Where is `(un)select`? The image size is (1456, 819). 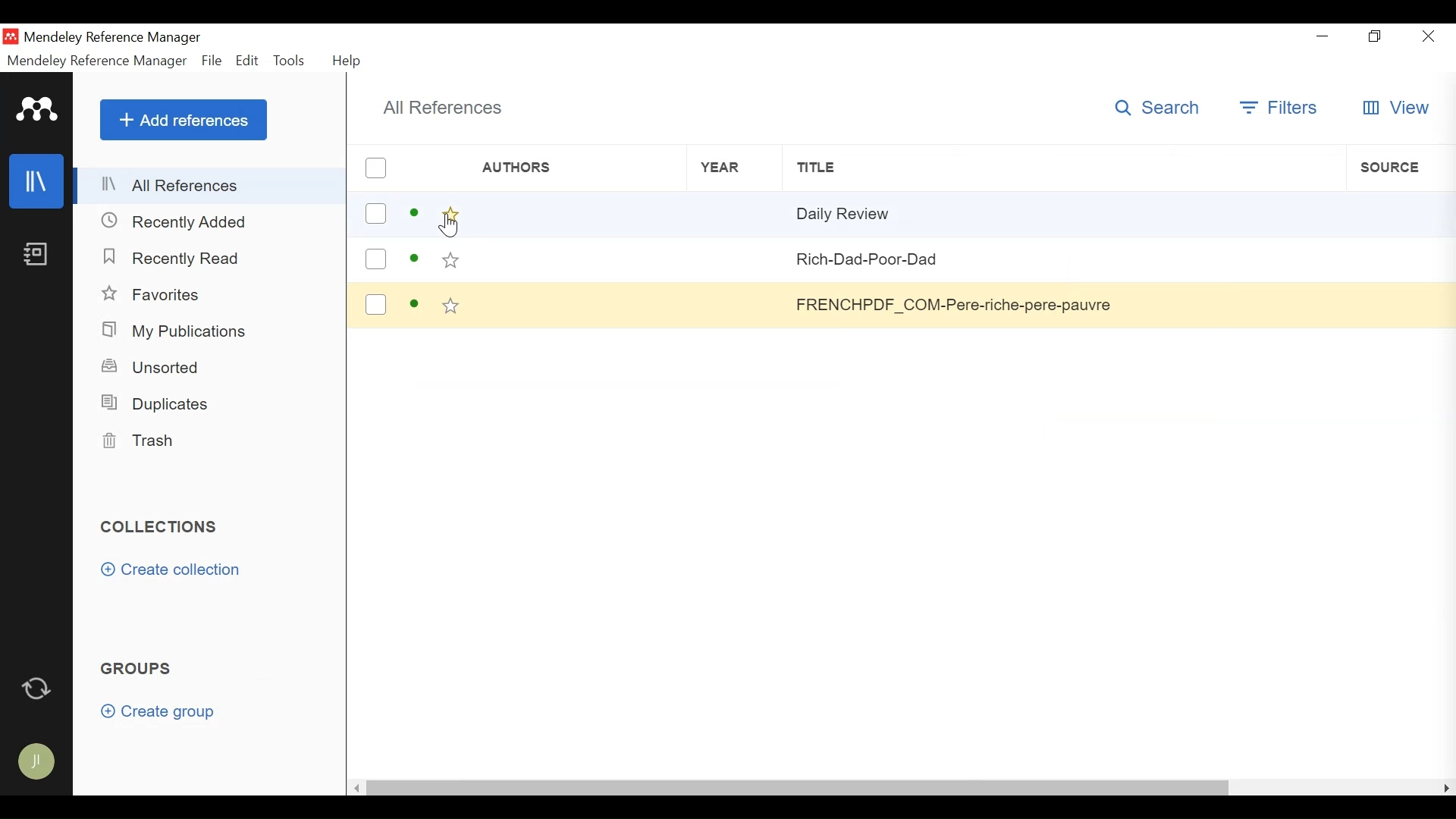
(un)select is located at coordinates (376, 259).